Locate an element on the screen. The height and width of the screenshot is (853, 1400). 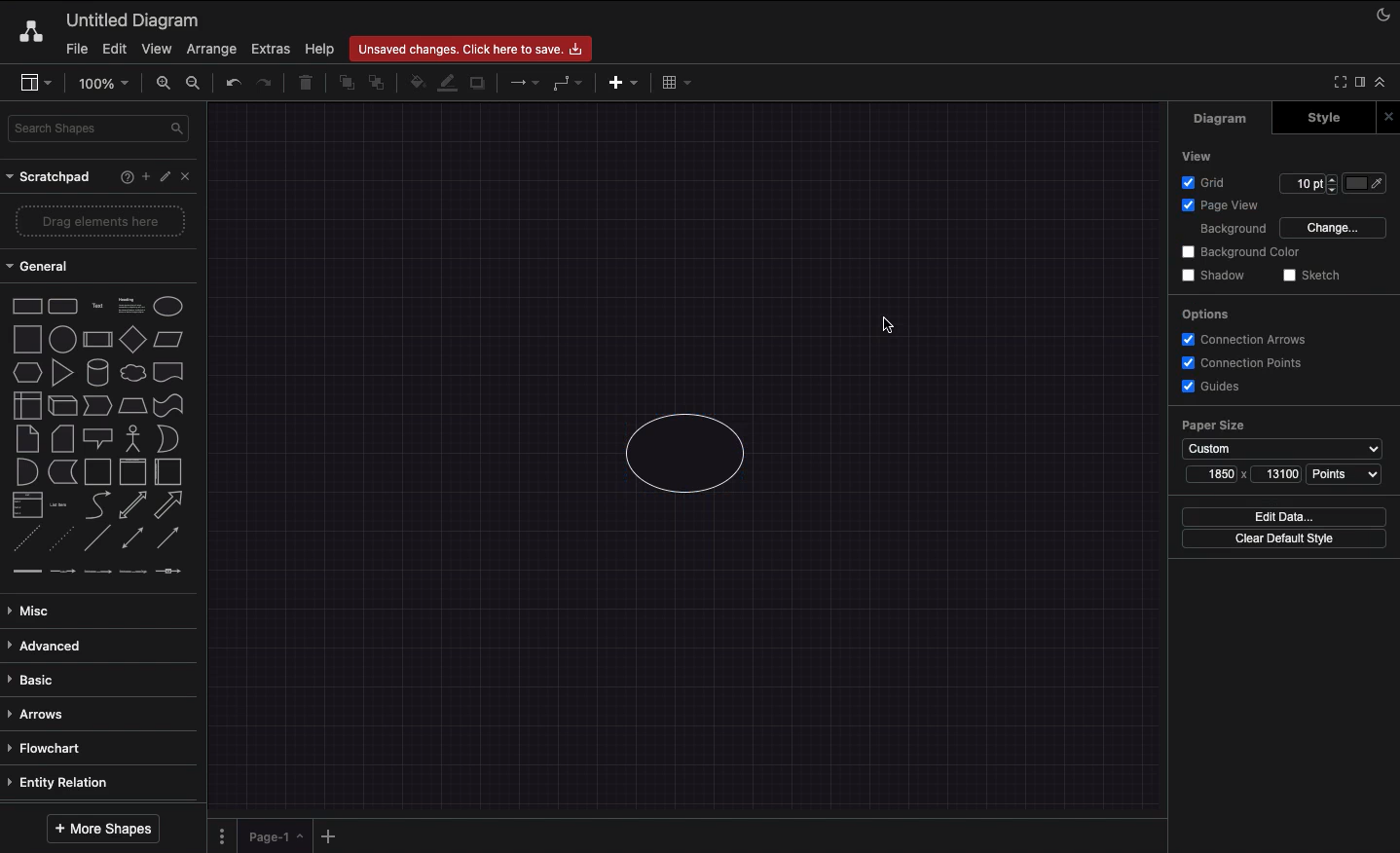
Rectangle is located at coordinates (25, 305).